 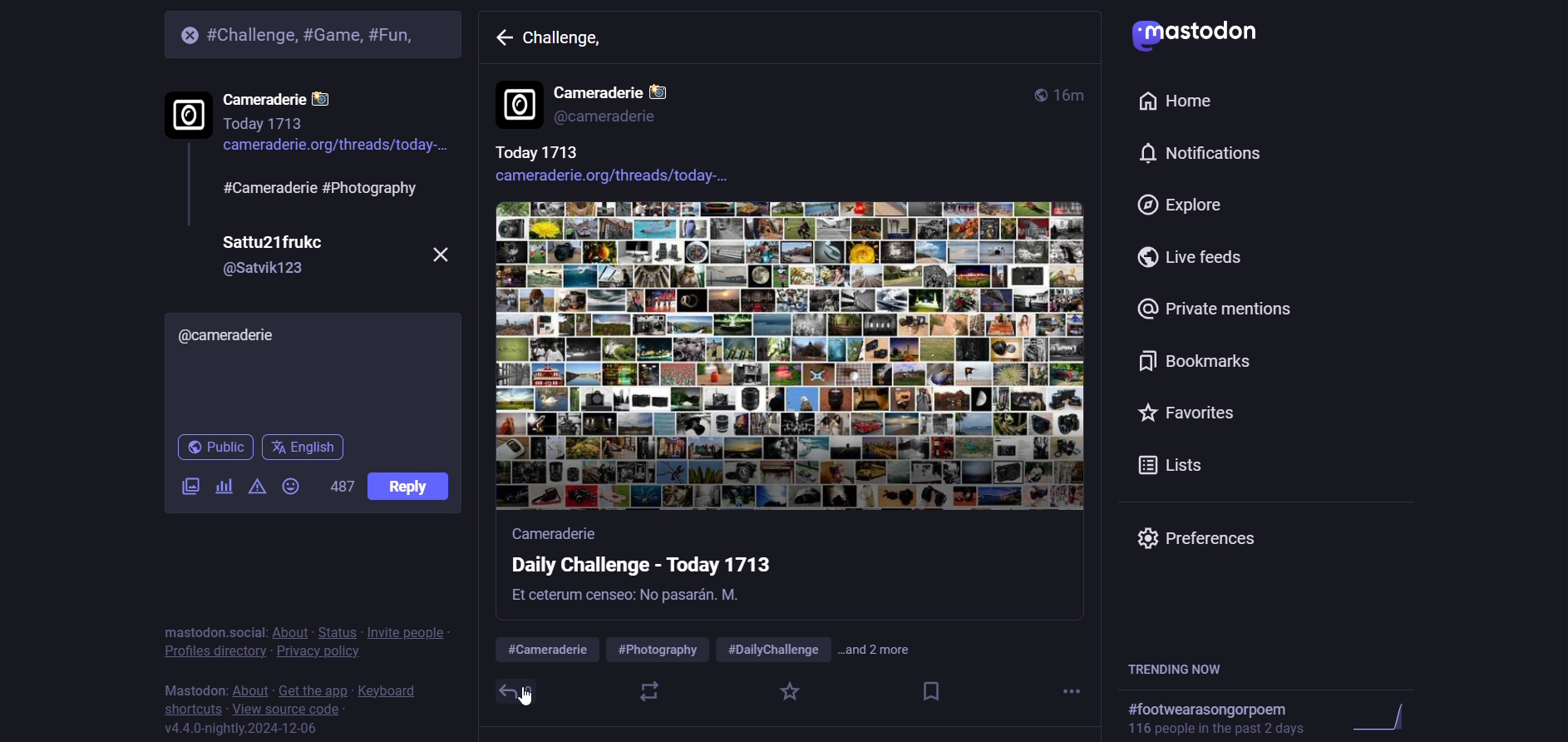 What do you see at coordinates (193, 708) in the screenshot?
I see `shortcut` at bounding box center [193, 708].